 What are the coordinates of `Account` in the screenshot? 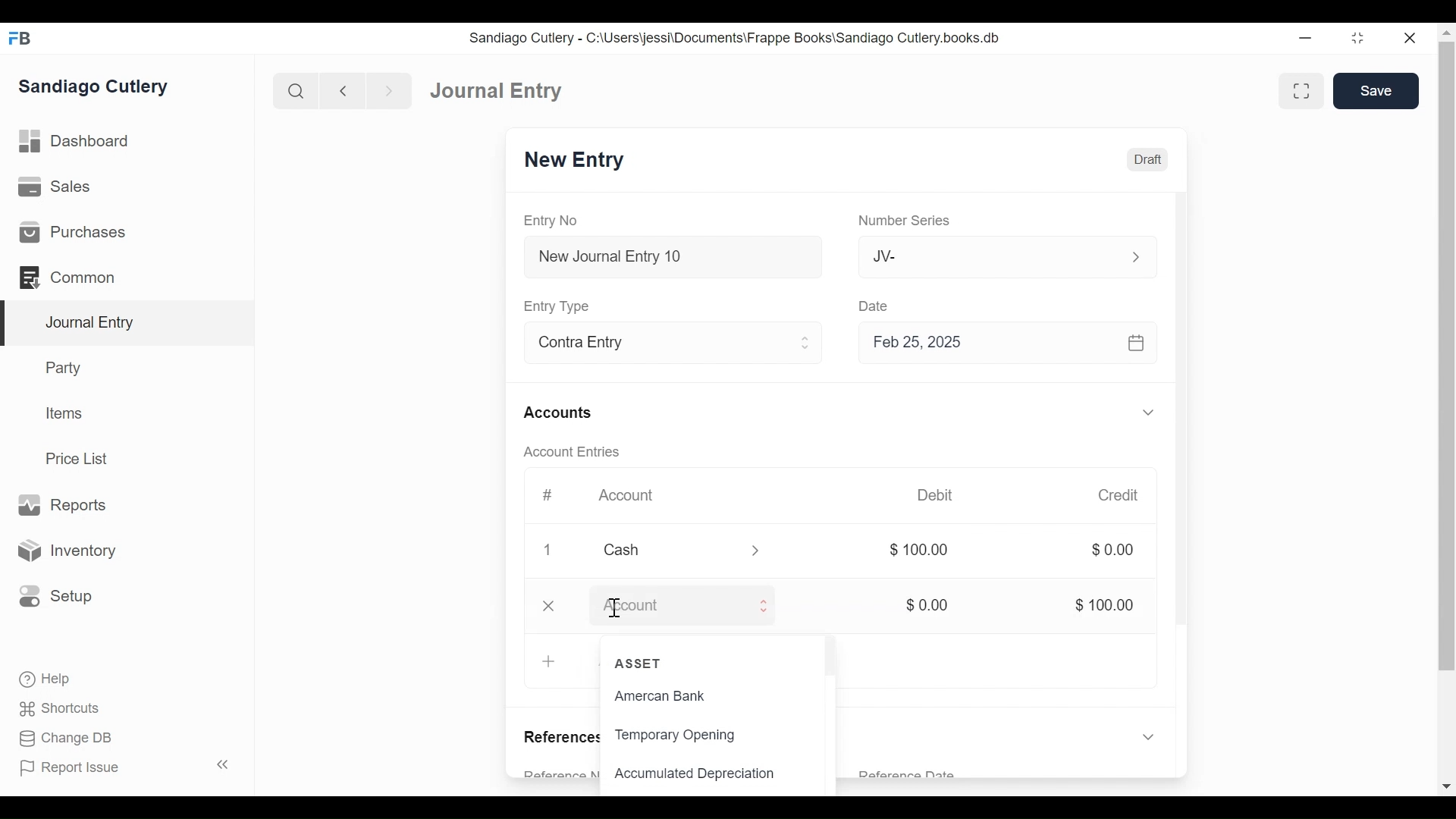 It's located at (626, 495).